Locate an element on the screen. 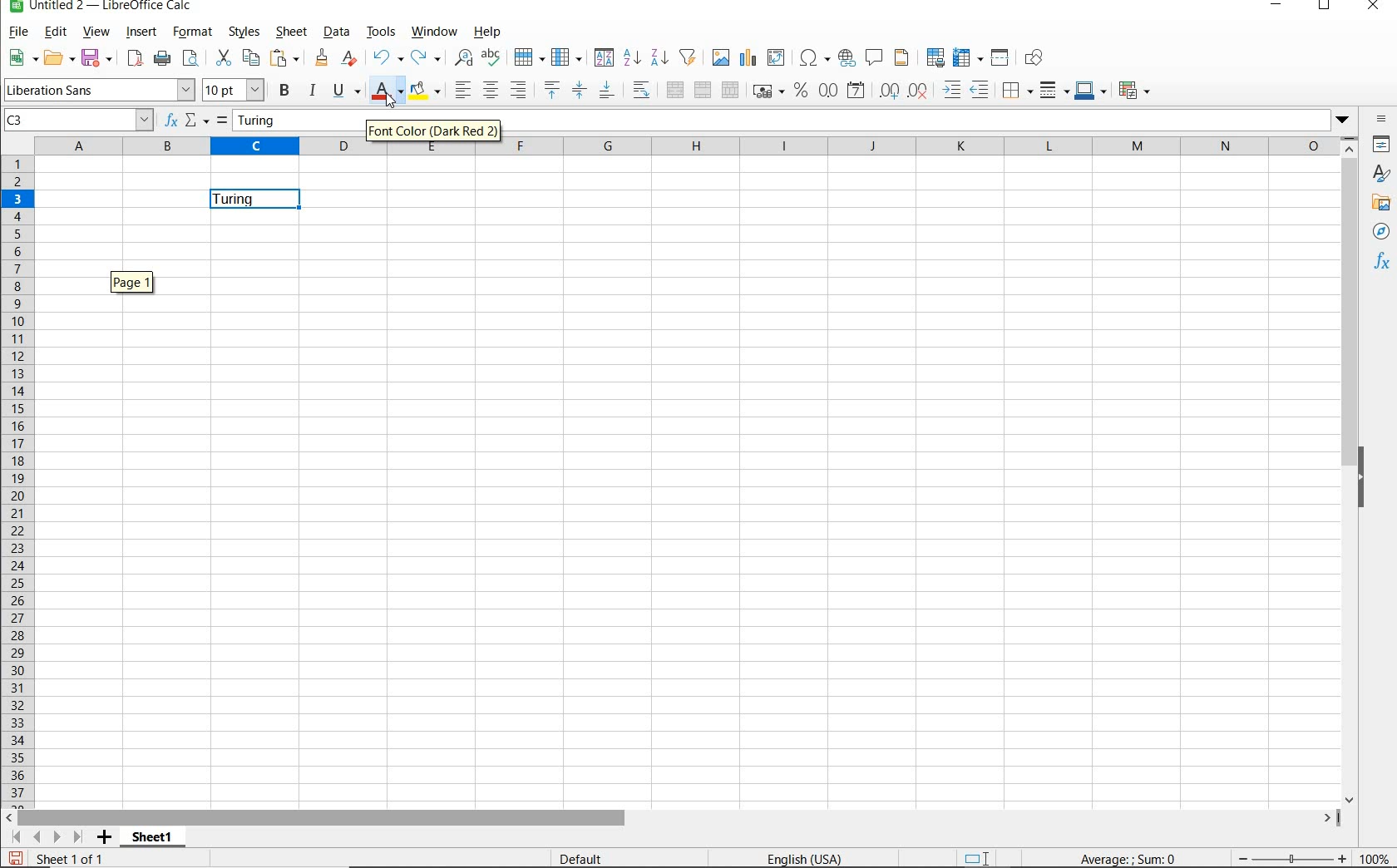 The width and height of the screenshot is (1397, 868). Turing is located at coordinates (288, 121).